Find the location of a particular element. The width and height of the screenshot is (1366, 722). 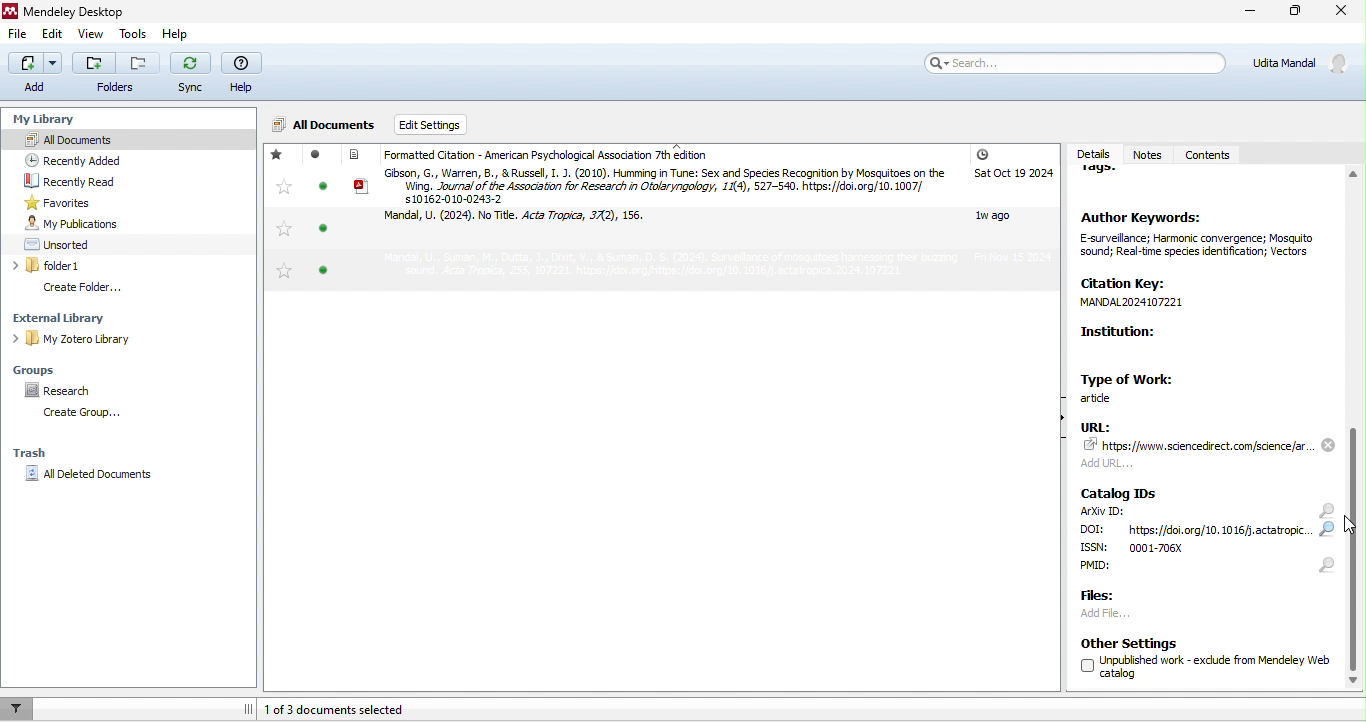

unsorted is located at coordinates (74, 243).